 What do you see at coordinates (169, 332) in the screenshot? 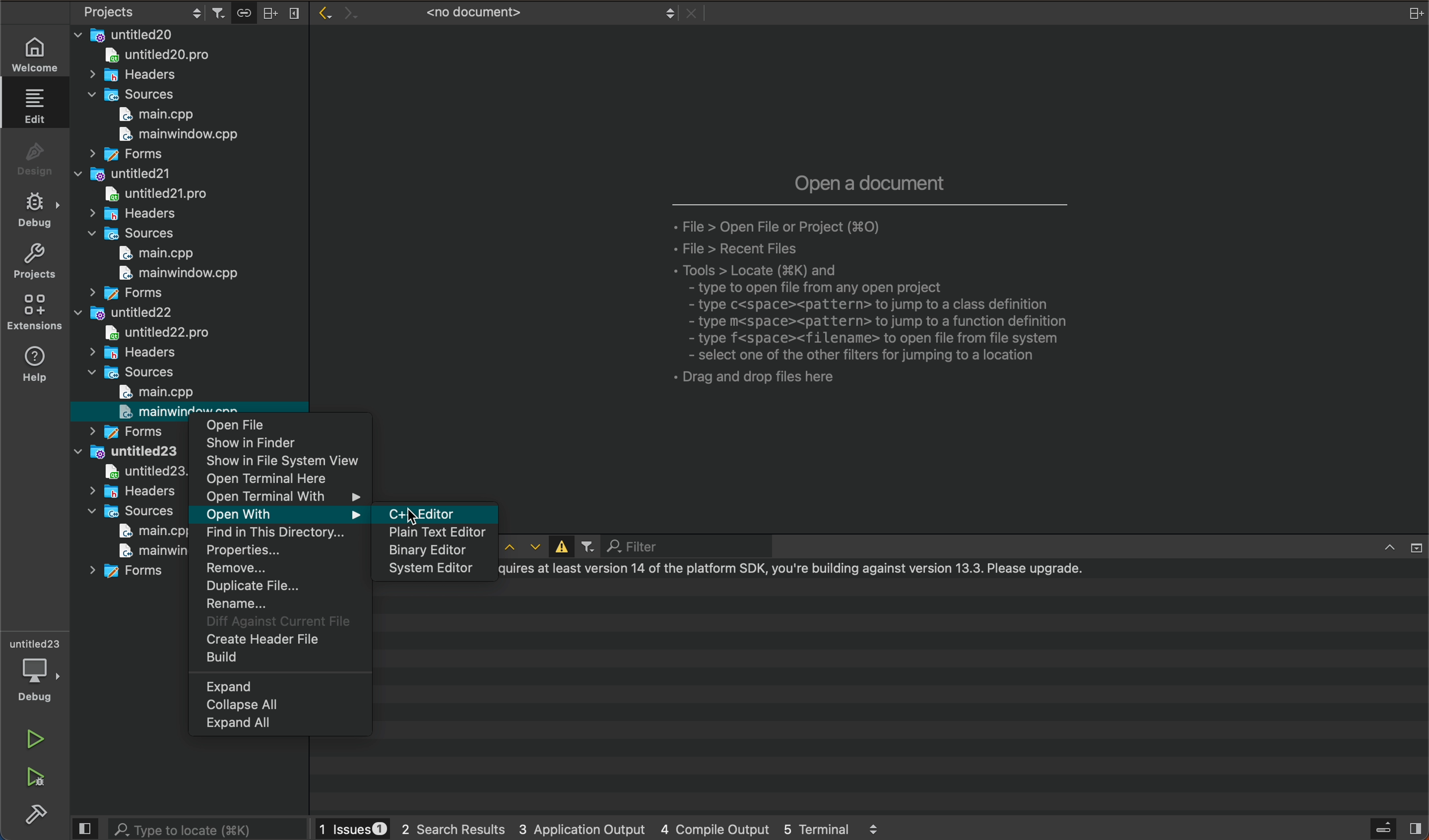
I see `untitled22pro` at bounding box center [169, 332].